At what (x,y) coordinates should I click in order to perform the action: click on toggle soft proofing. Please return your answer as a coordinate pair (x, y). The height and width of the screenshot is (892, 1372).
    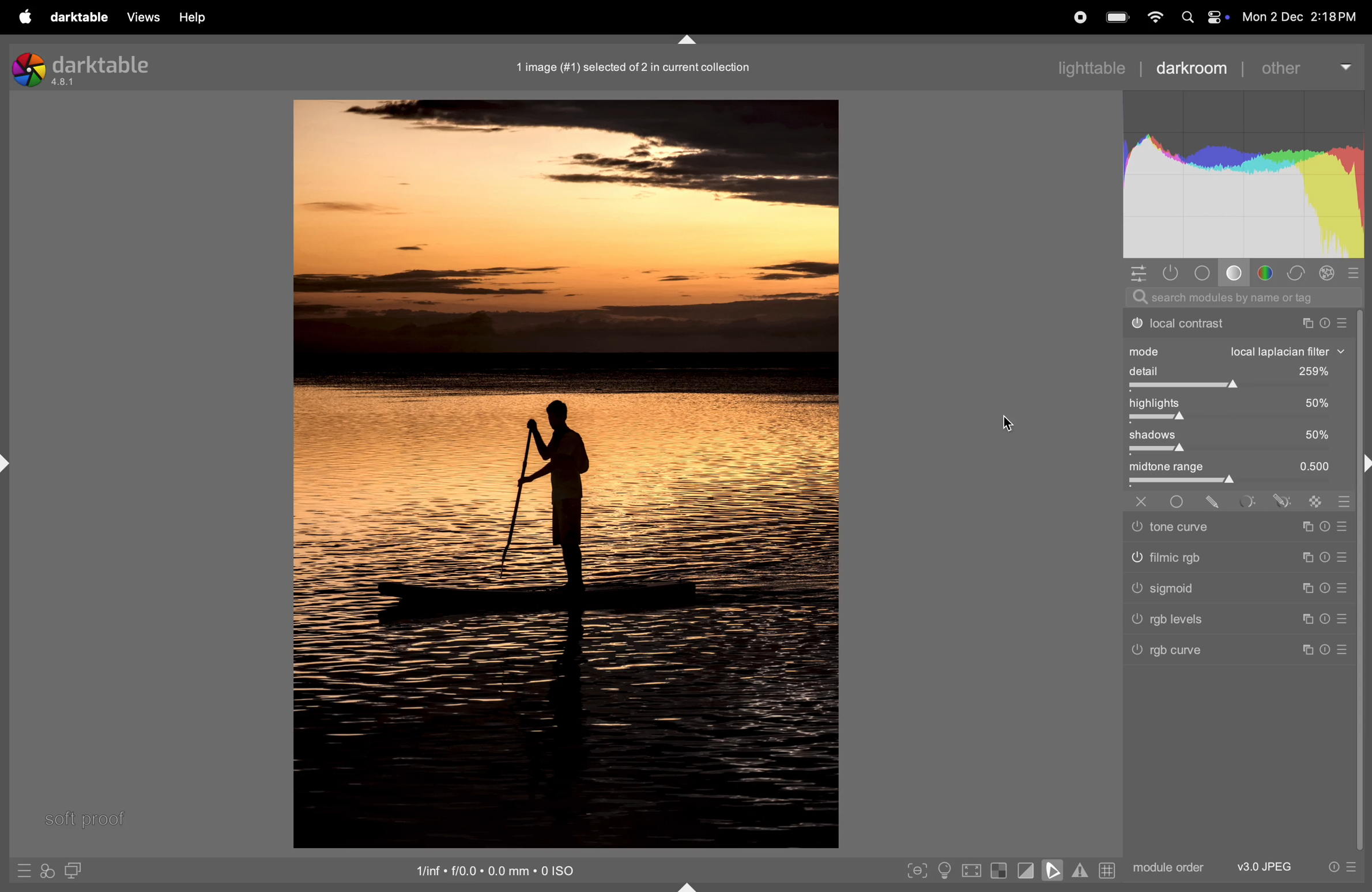
    Looking at the image, I should click on (1051, 869).